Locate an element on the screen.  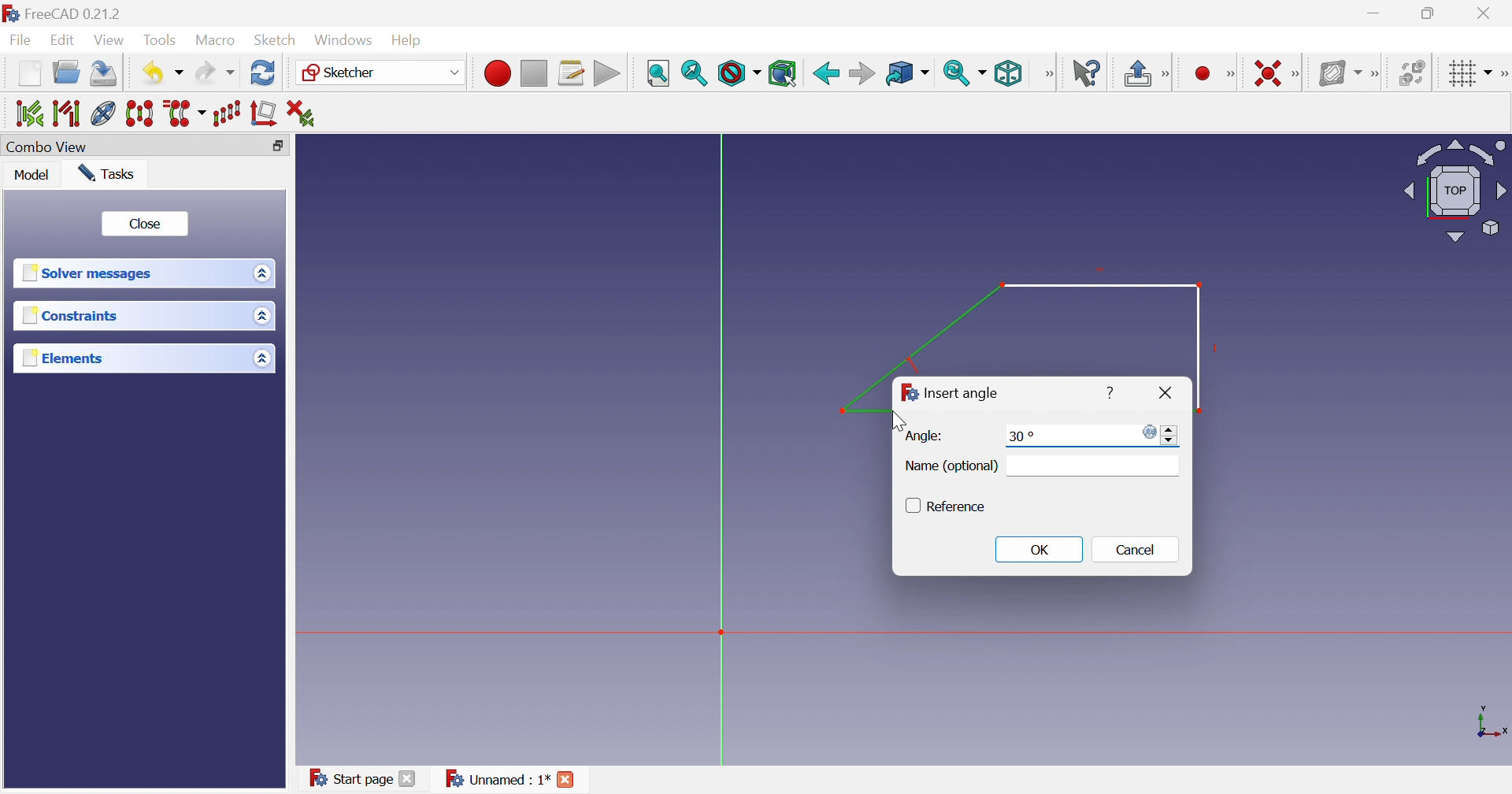
Close is located at coordinates (1163, 392).